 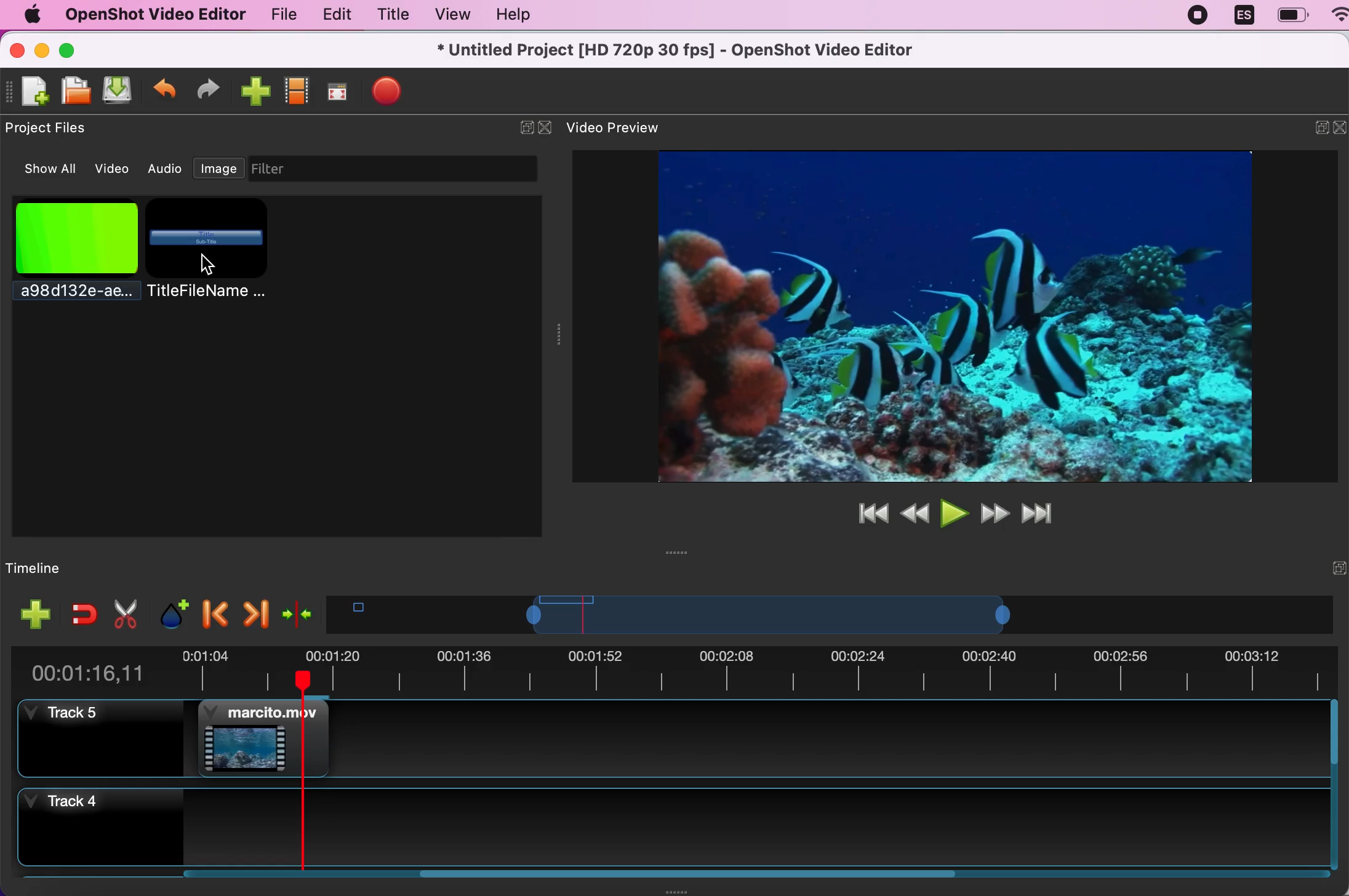 What do you see at coordinates (255, 610) in the screenshot?
I see `next marker` at bounding box center [255, 610].